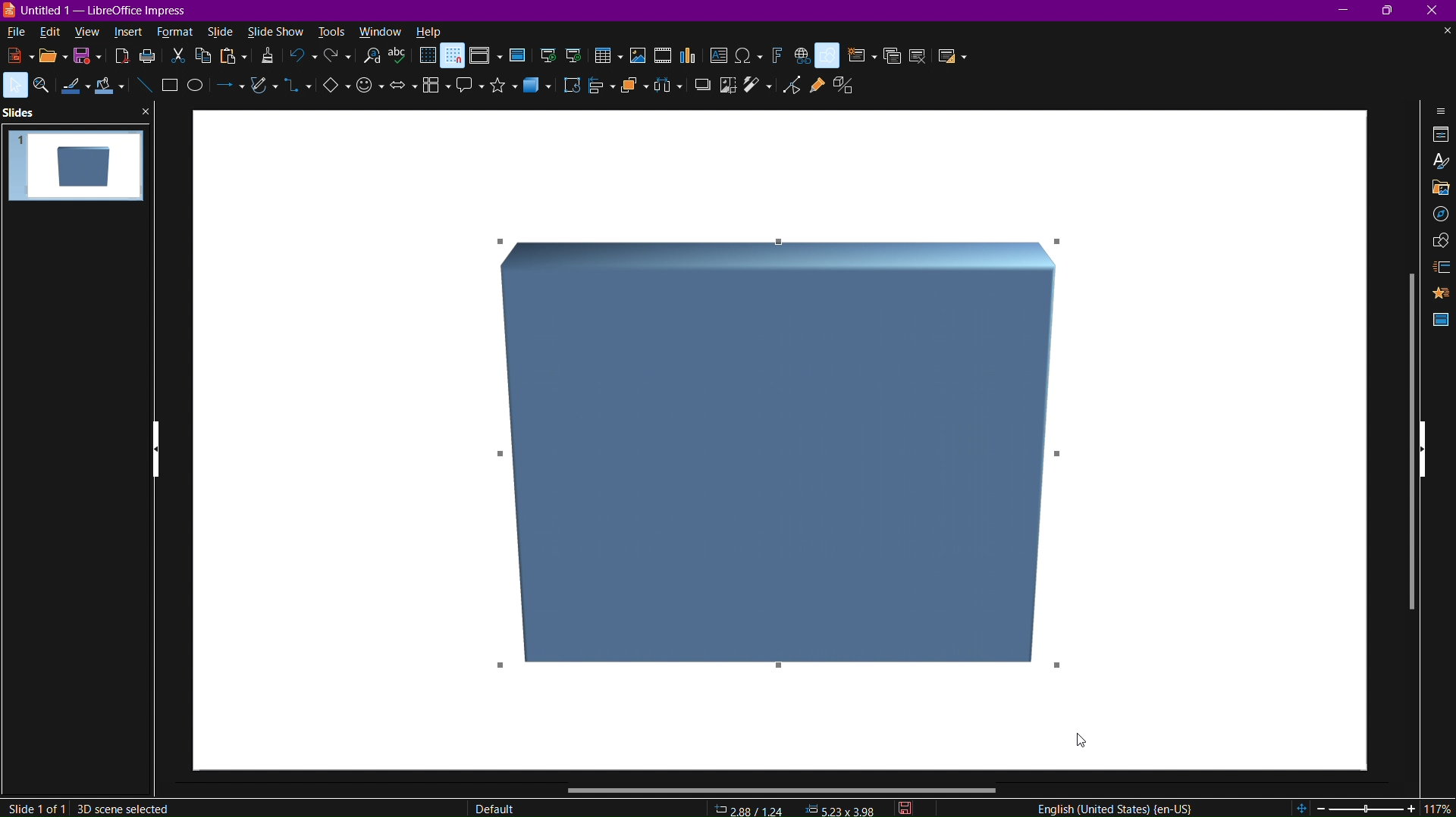 The image size is (1456, 817). I want to click on New, so click(14, 55).